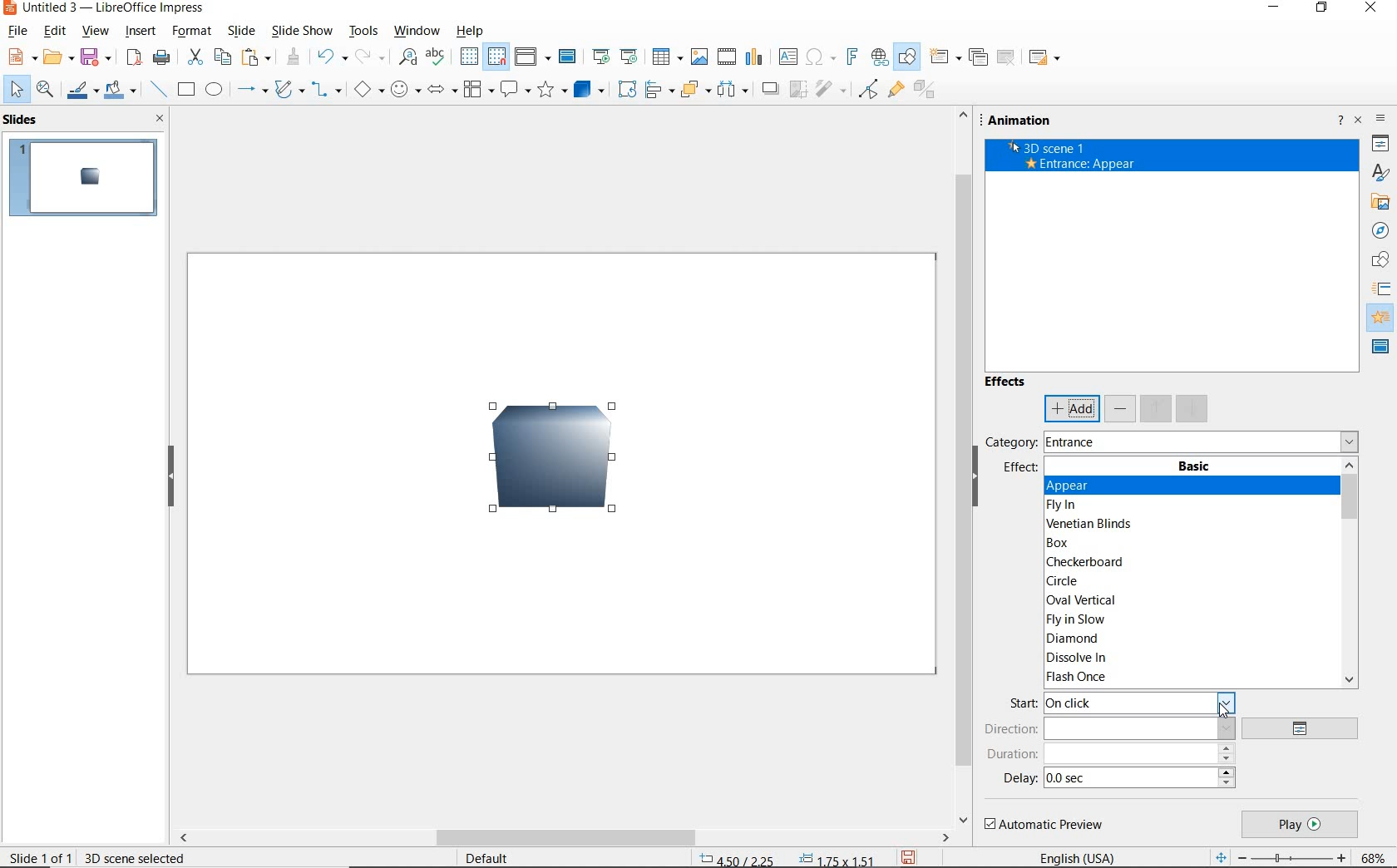 Image resolution: width=1397 pixels, height=868 pixels. Describe the element at coordinates (978, 57) in the screenshot. I see `duplicate slide` at that location.